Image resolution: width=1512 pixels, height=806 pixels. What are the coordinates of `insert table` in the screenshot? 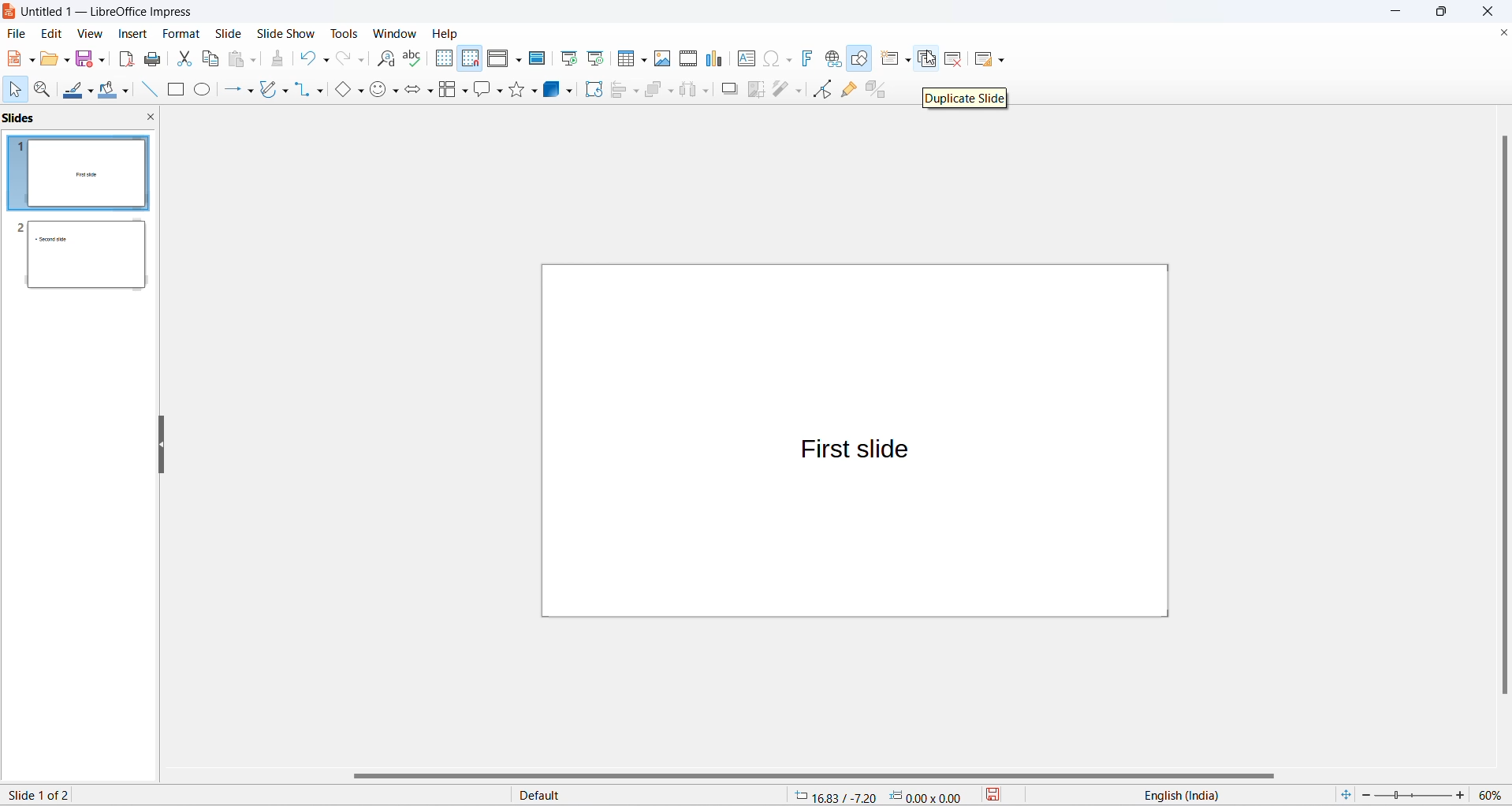 It's located at (625, 61).